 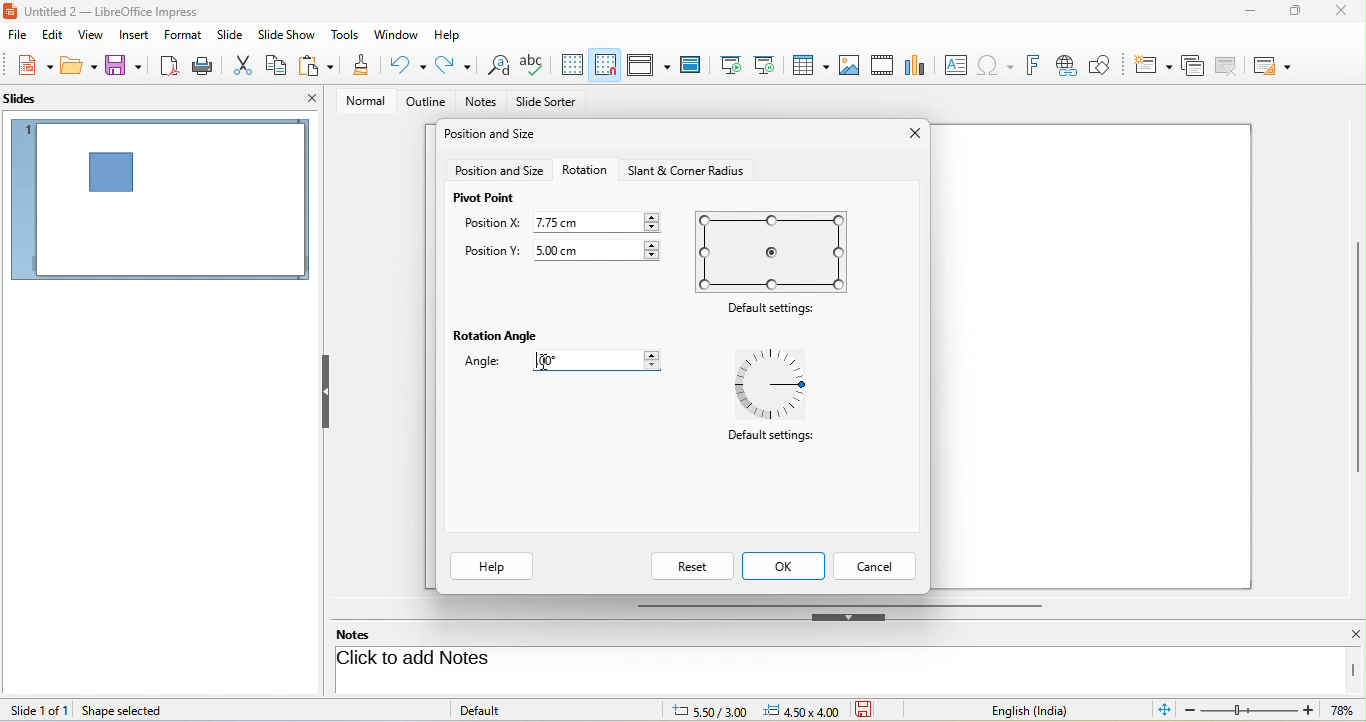 I want to click on pivot point, so click(x=485, y=198).